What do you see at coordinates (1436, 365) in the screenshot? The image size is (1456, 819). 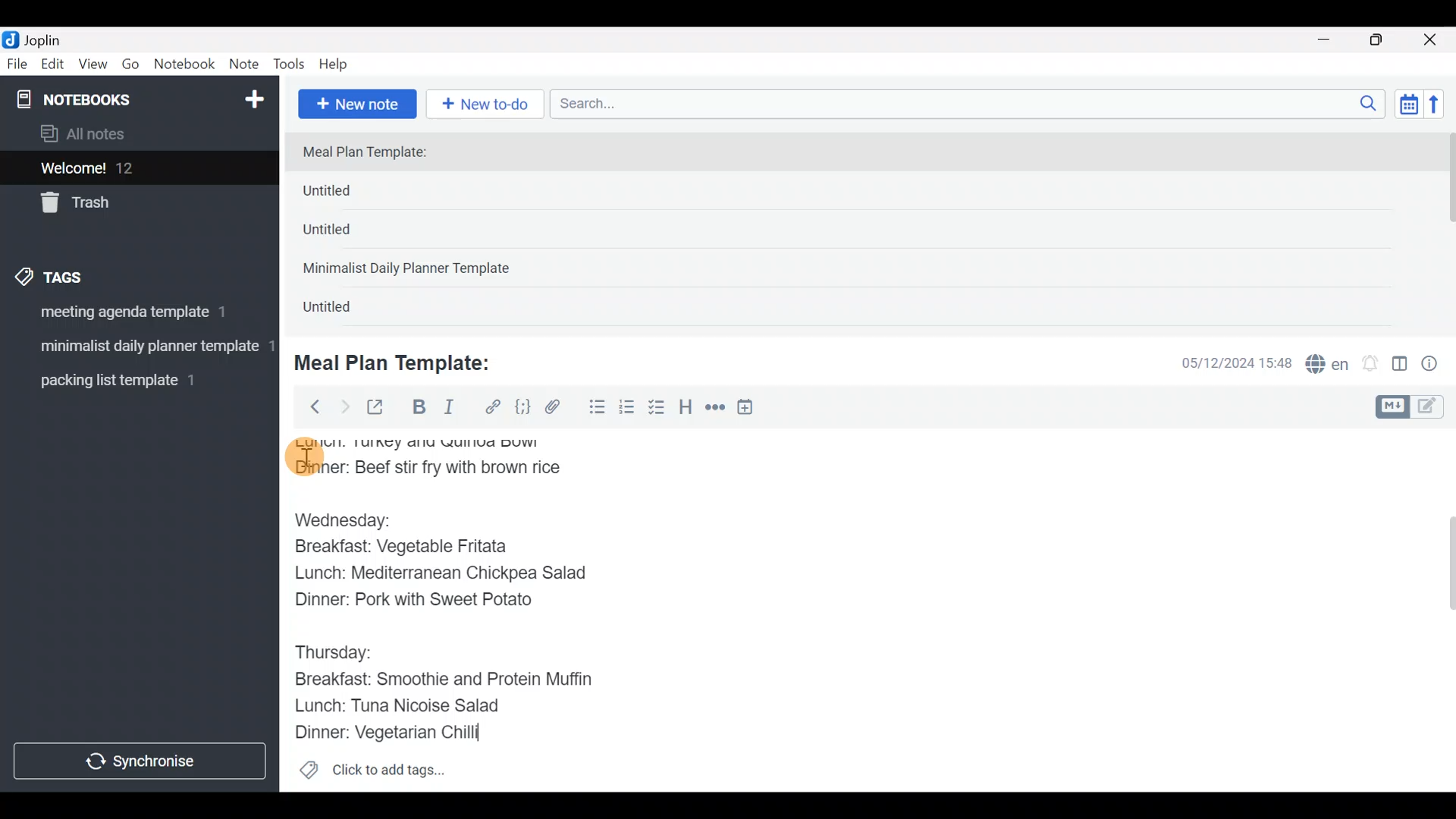 I see `Note properties` at bounding box center [1436, 365].